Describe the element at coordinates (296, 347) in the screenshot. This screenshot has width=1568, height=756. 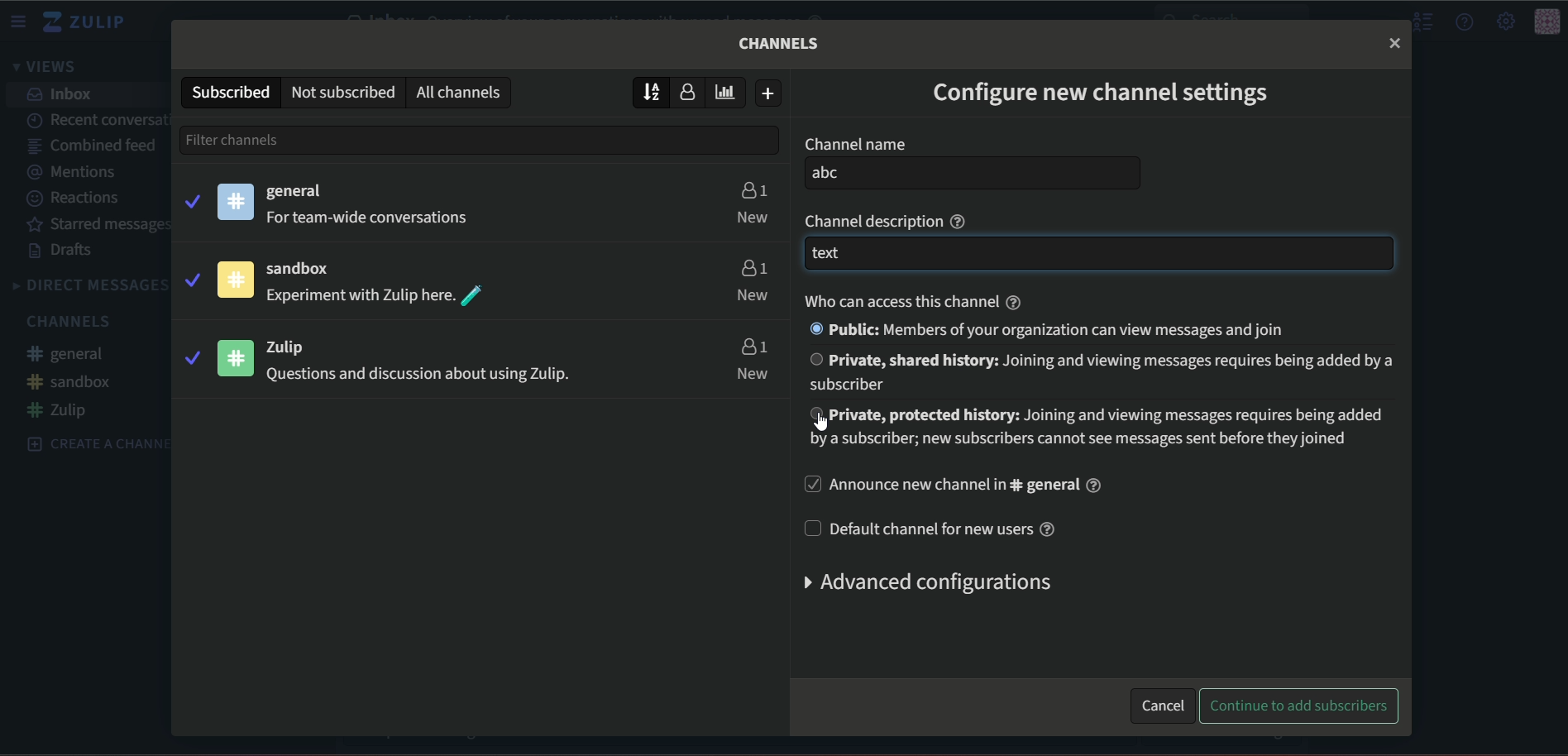
I see `zulip` at that location.